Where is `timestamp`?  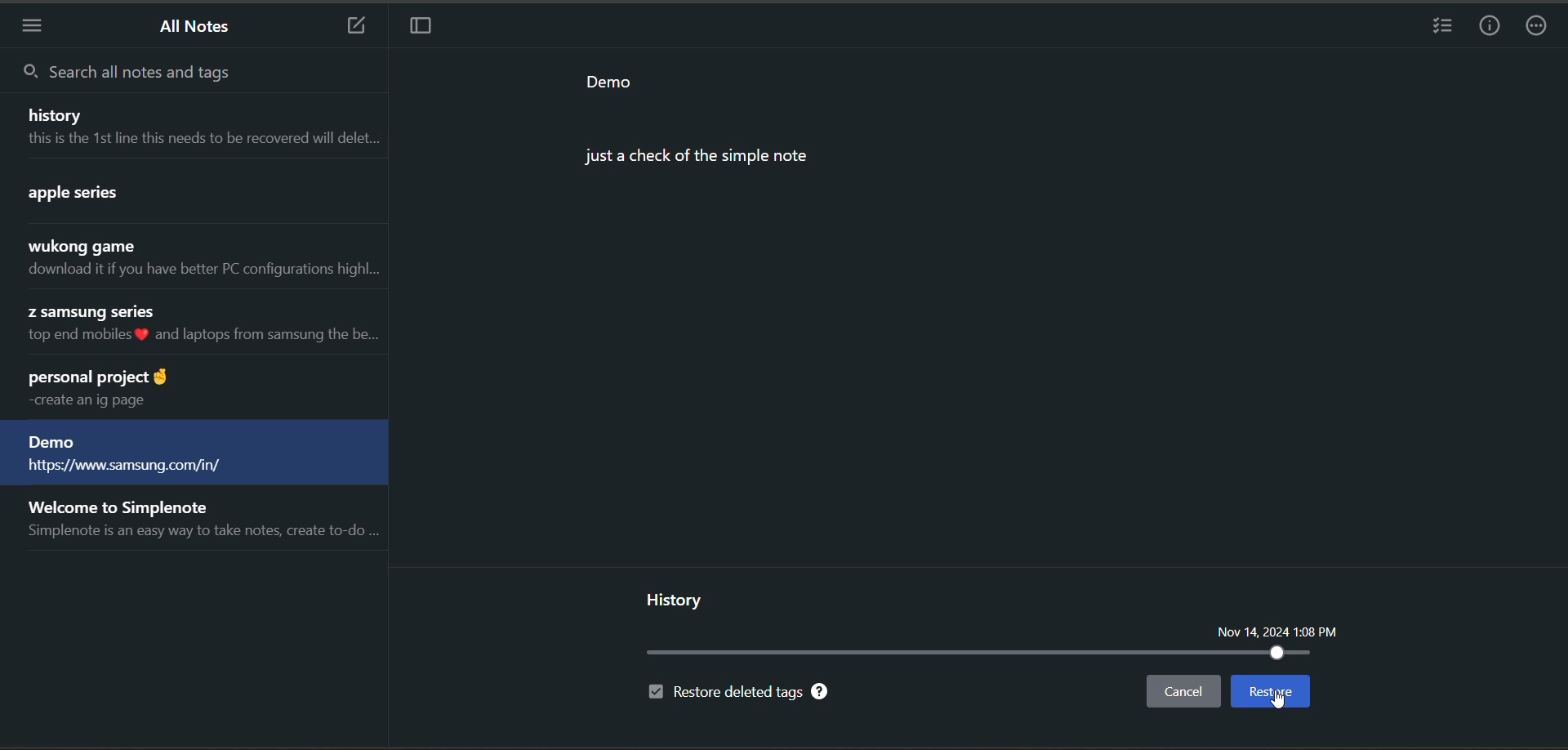
timestamp is located at coordinates (1285, 632).